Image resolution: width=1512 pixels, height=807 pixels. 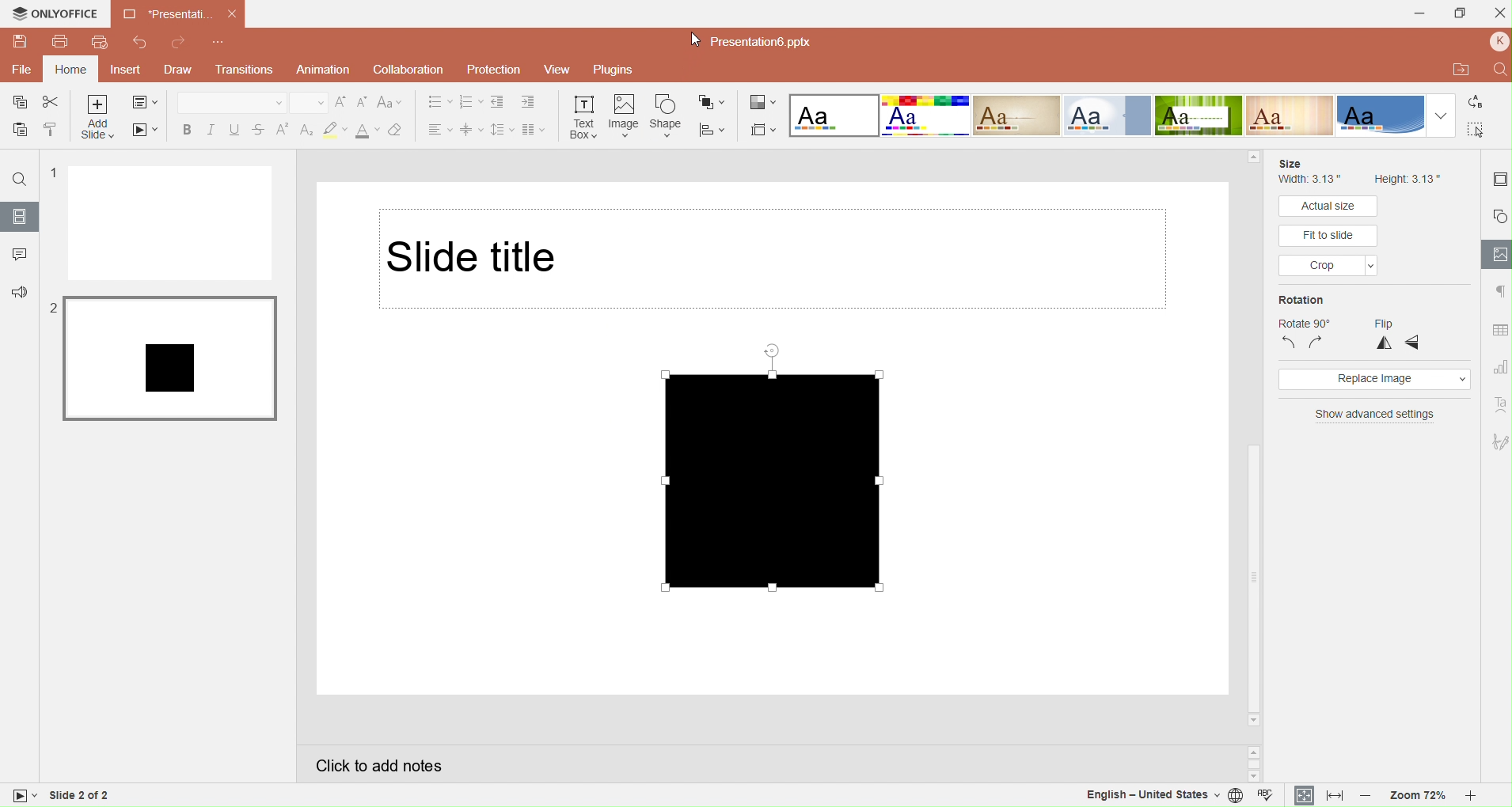 I want to click on Customize quick access toolbar, so click(x=222, y=41).